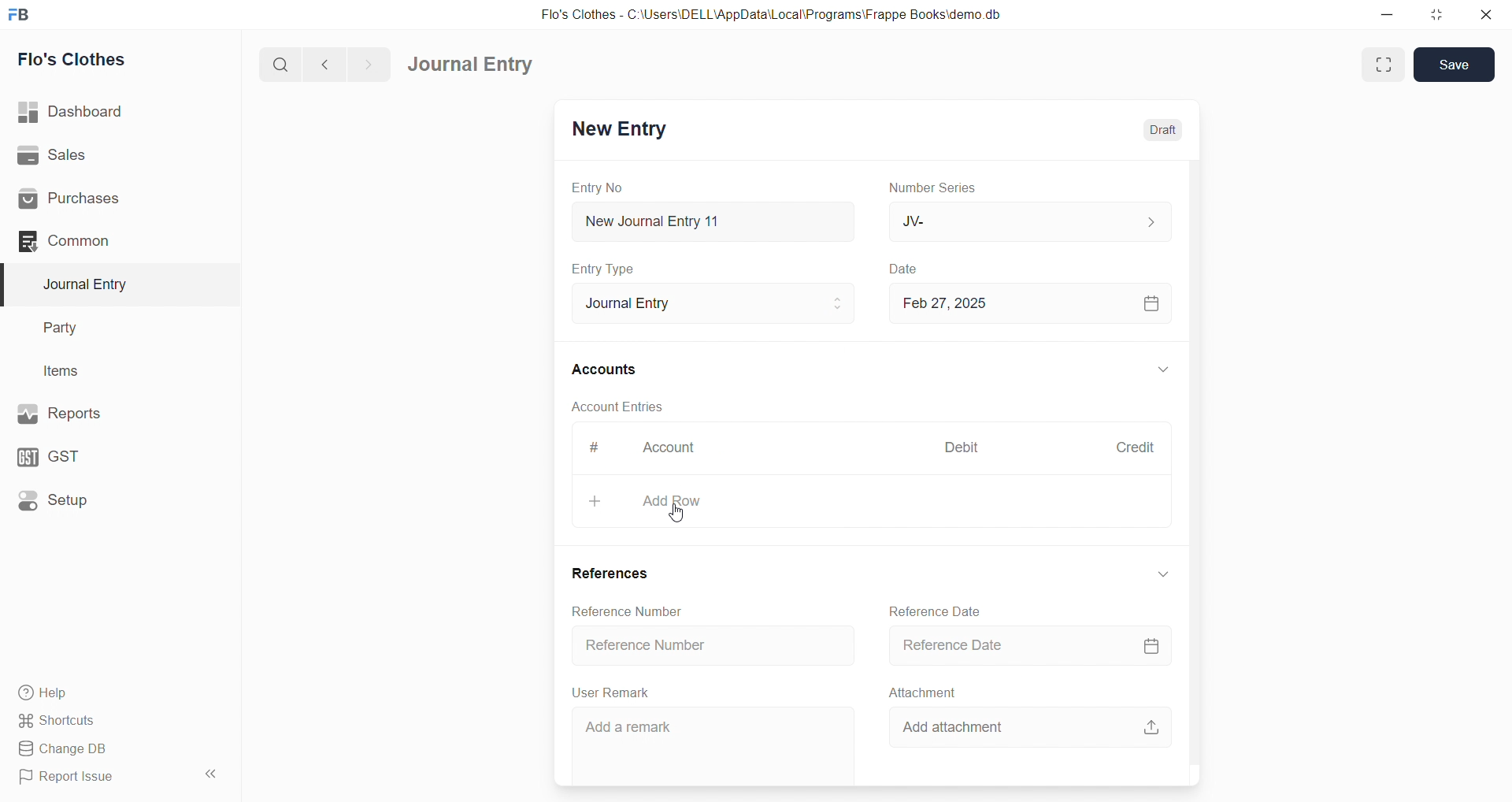  I want to click on #, so click(594, 447).